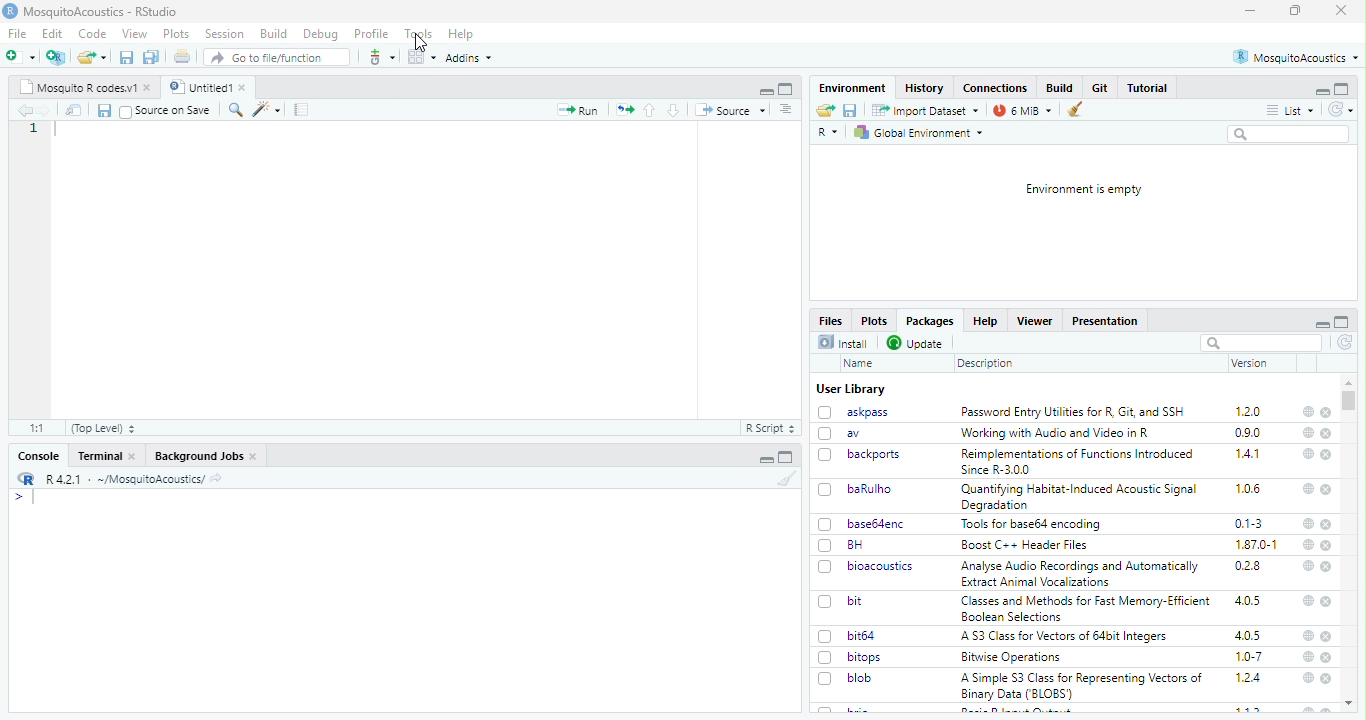 The height and width of the screenshot is (720, 1366). Describe the element at coordinates (787, 477) in the screenshot. I see `clean` at that location.